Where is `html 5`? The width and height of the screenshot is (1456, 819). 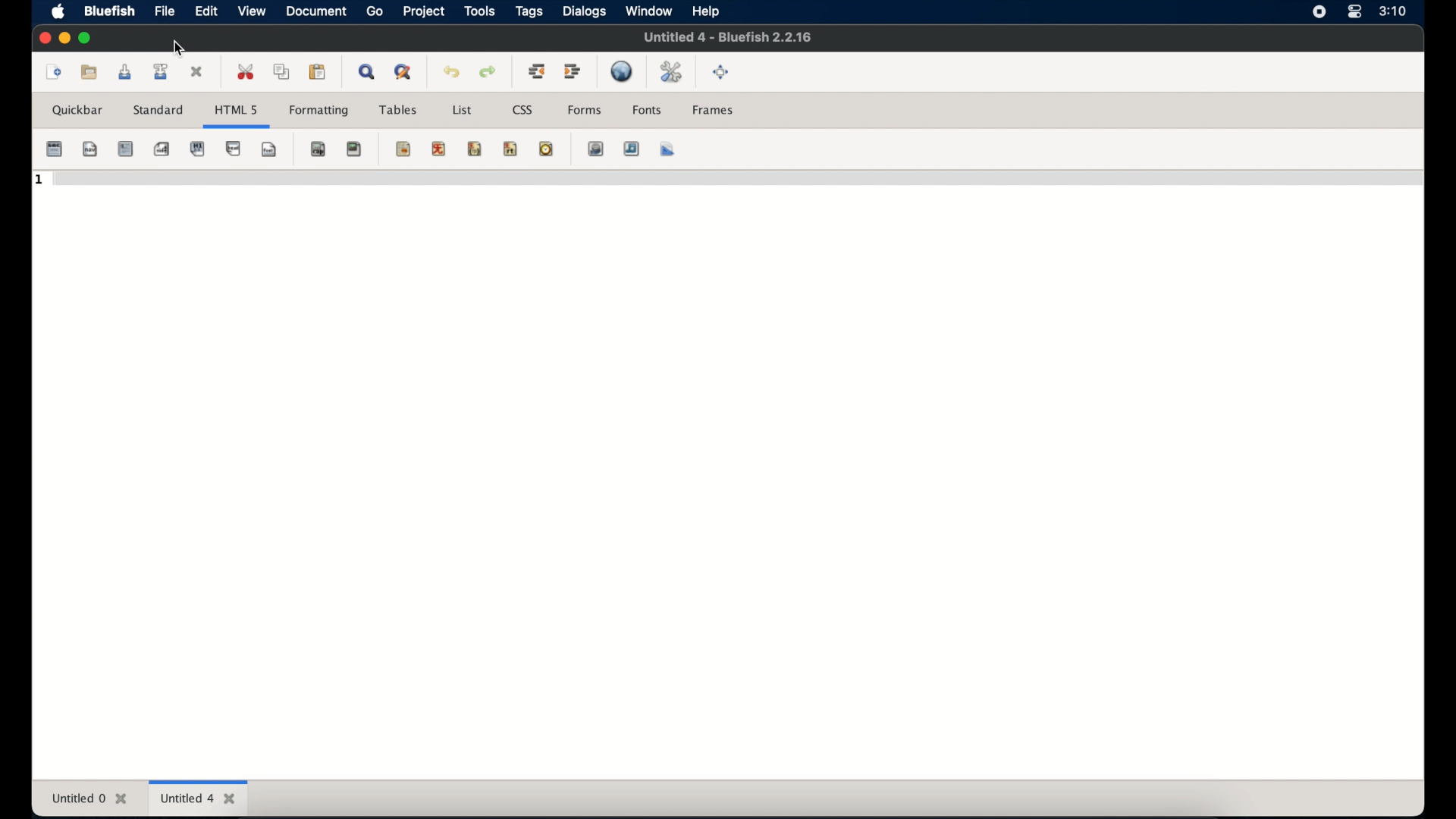
html 5 is located at coordinates (236, 111).